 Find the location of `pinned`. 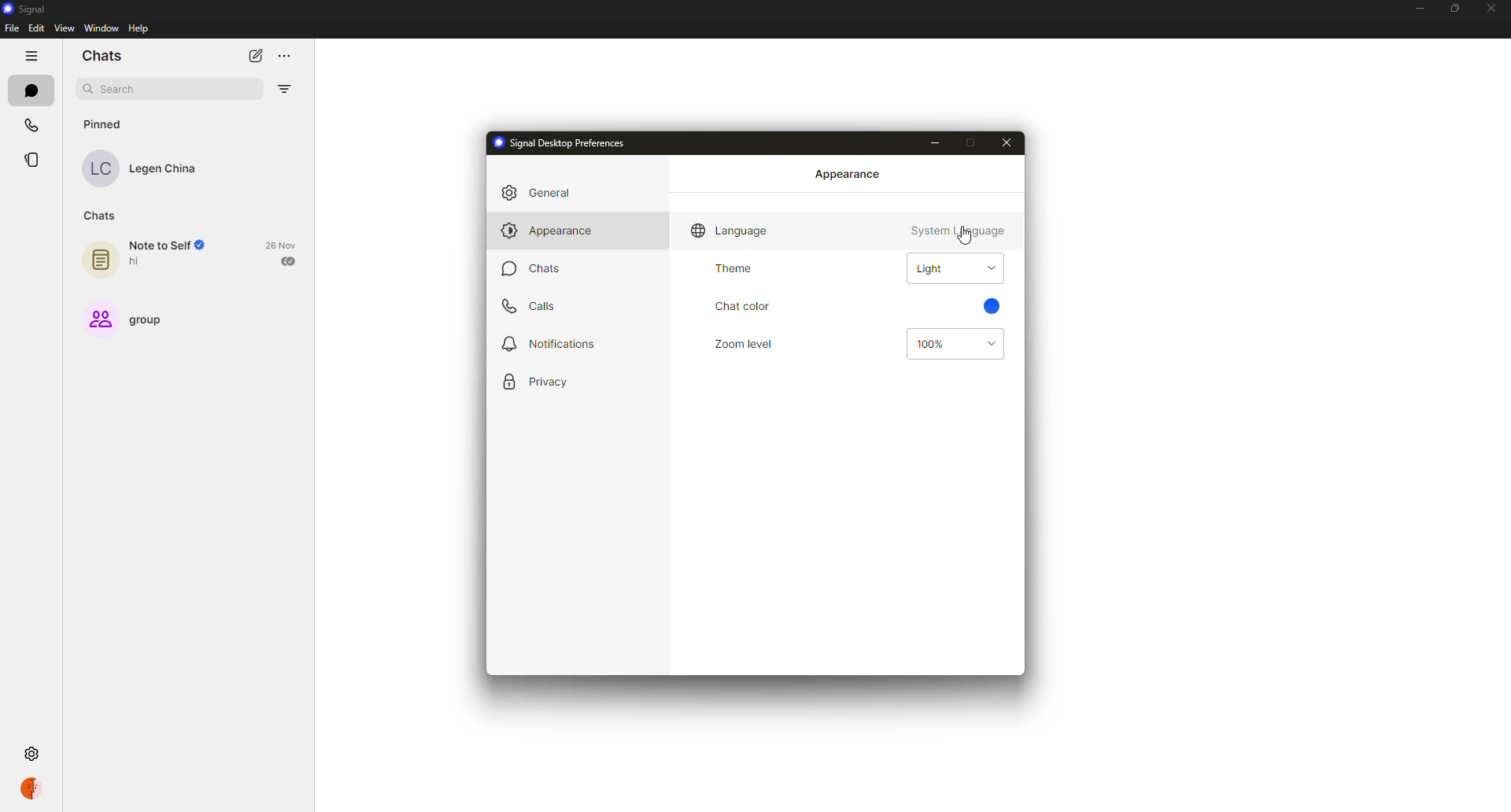

pinned is located at coordinates (105, 124).